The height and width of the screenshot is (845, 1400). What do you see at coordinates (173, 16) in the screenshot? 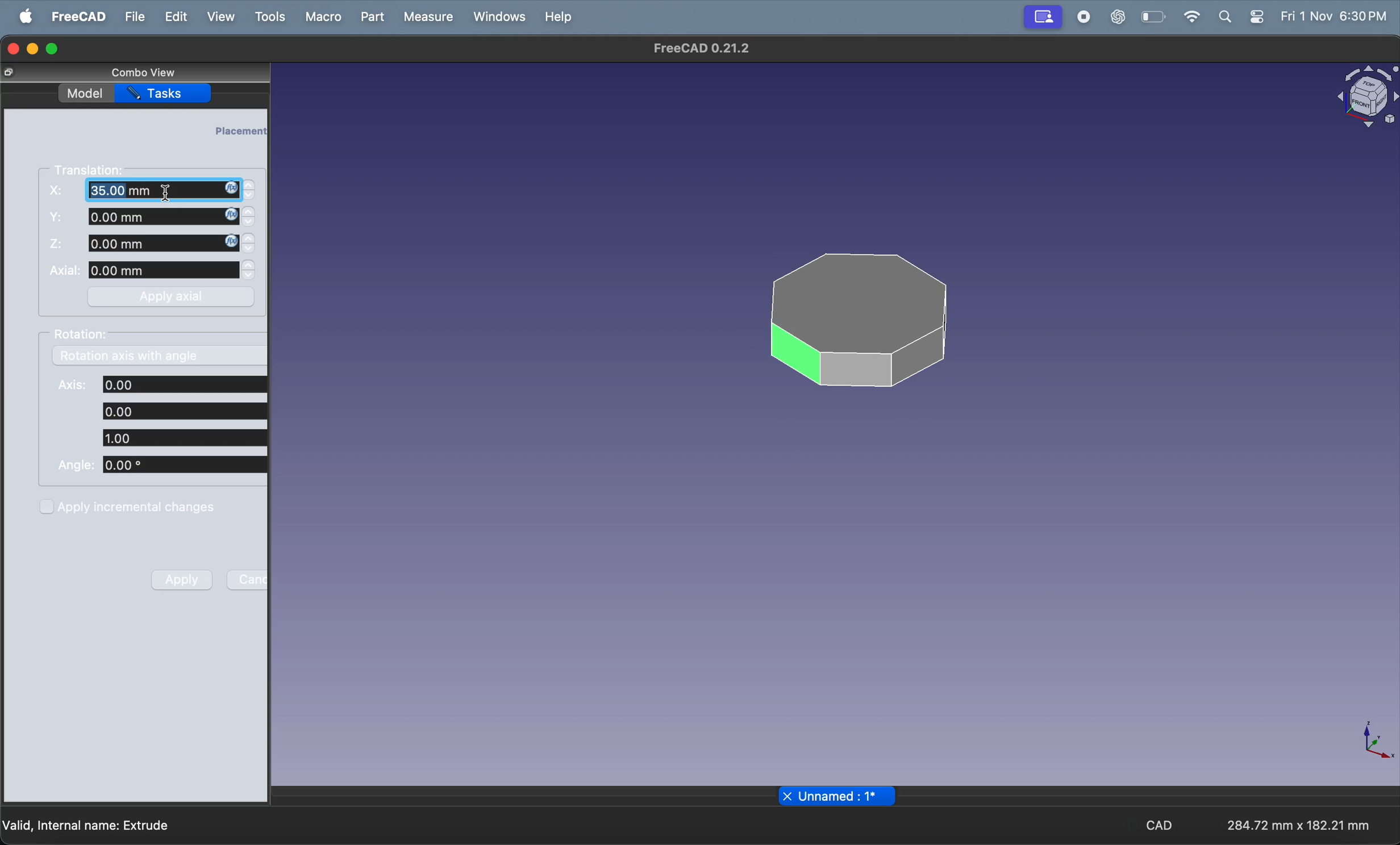
I see `edit` at bounding box center [173, 16].